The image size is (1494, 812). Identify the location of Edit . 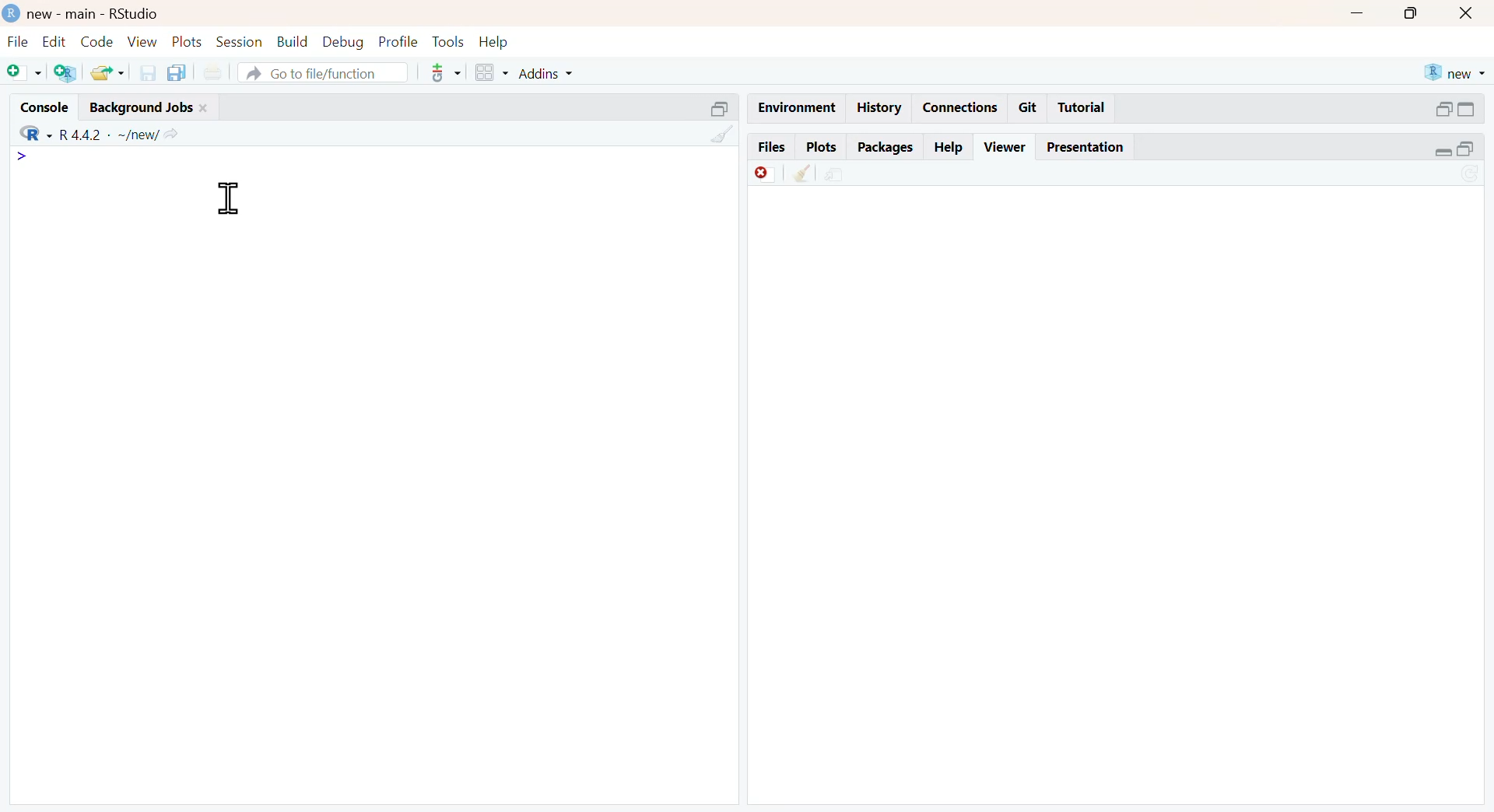
(55, 40).